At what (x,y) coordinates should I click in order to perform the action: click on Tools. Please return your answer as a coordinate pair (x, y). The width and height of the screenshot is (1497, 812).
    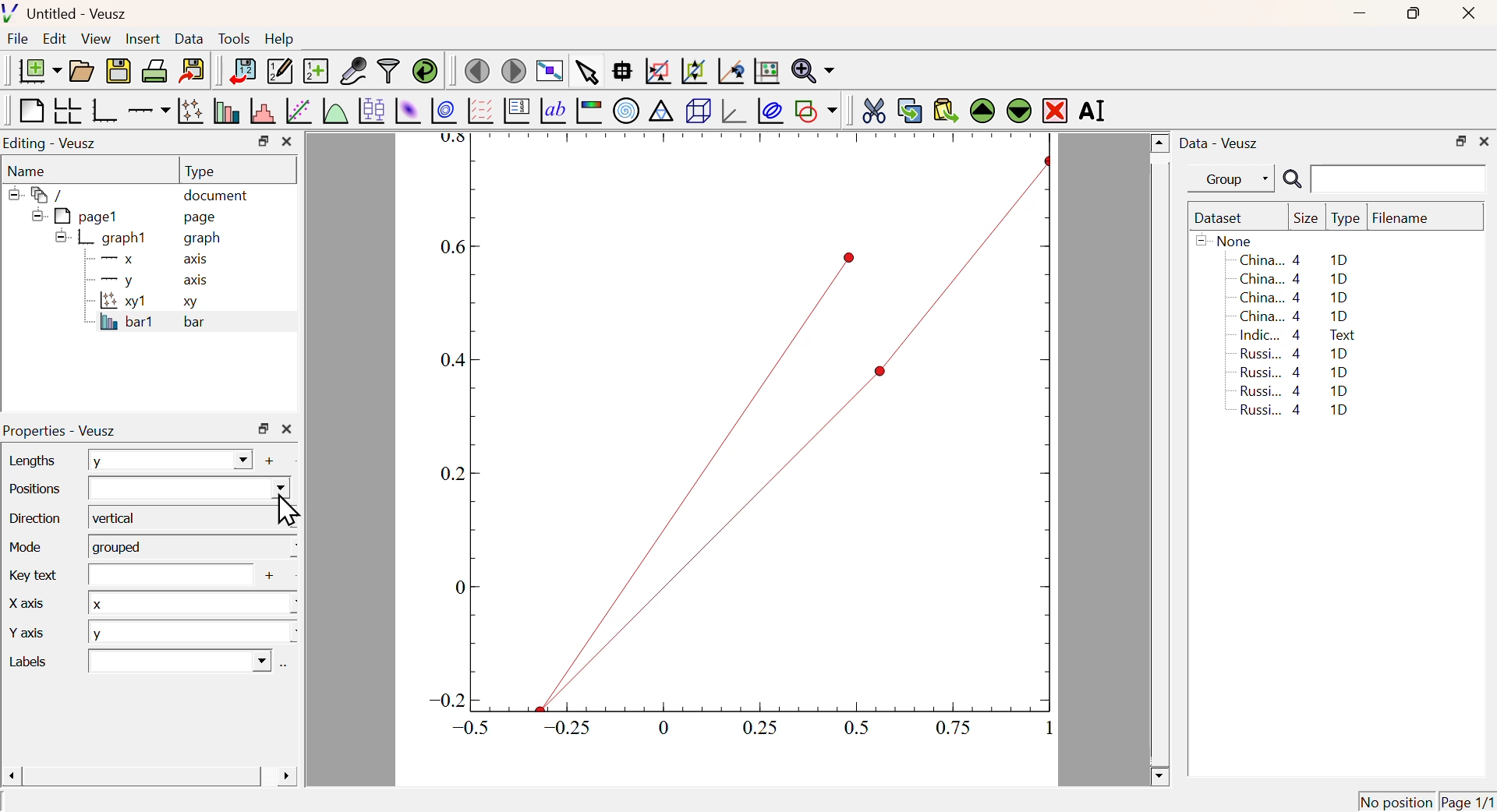
    Looking at the image, I should click on (234, 40).